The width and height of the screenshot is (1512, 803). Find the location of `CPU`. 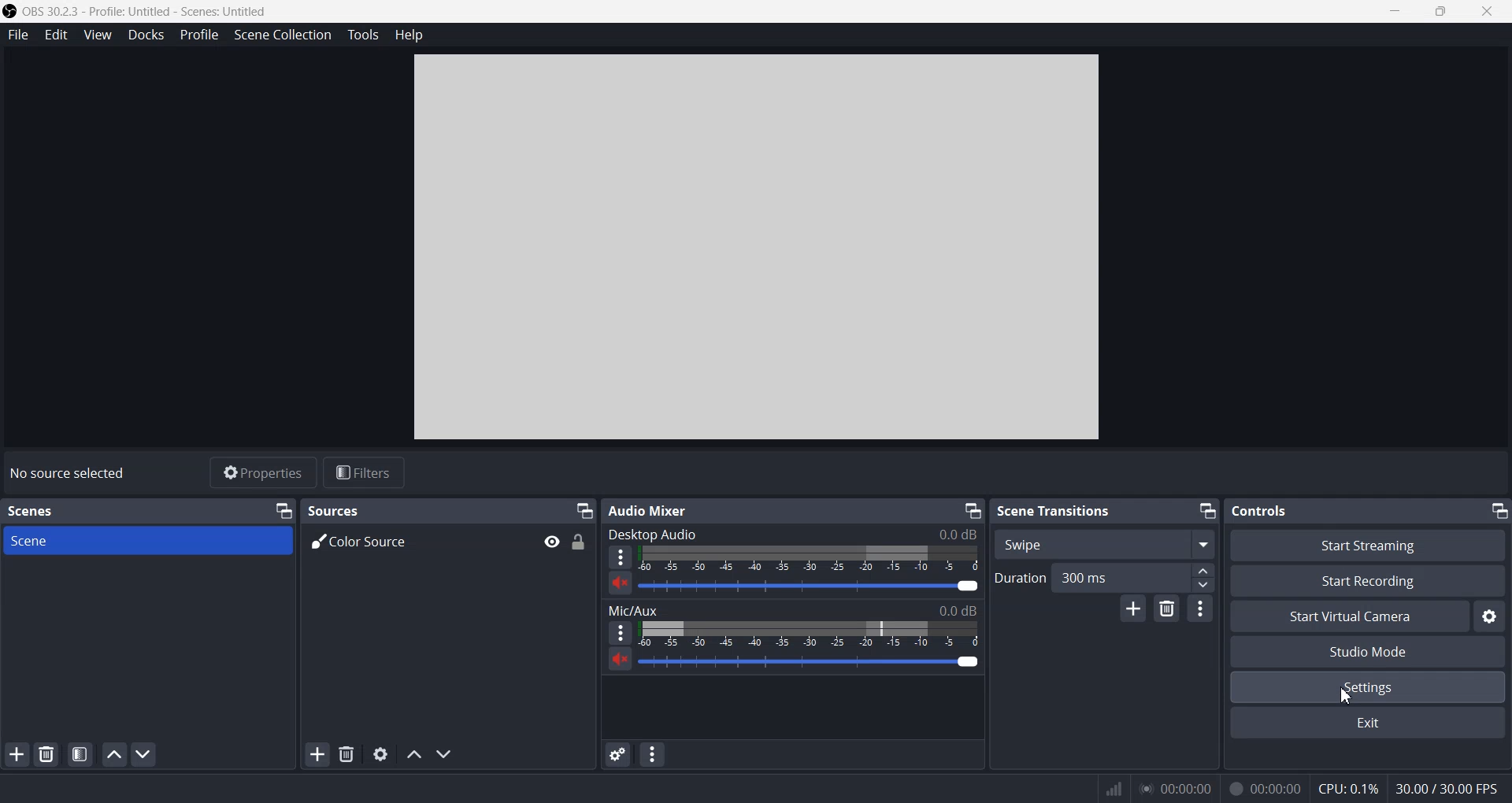

CPU is located at coordinates (1349, 790).